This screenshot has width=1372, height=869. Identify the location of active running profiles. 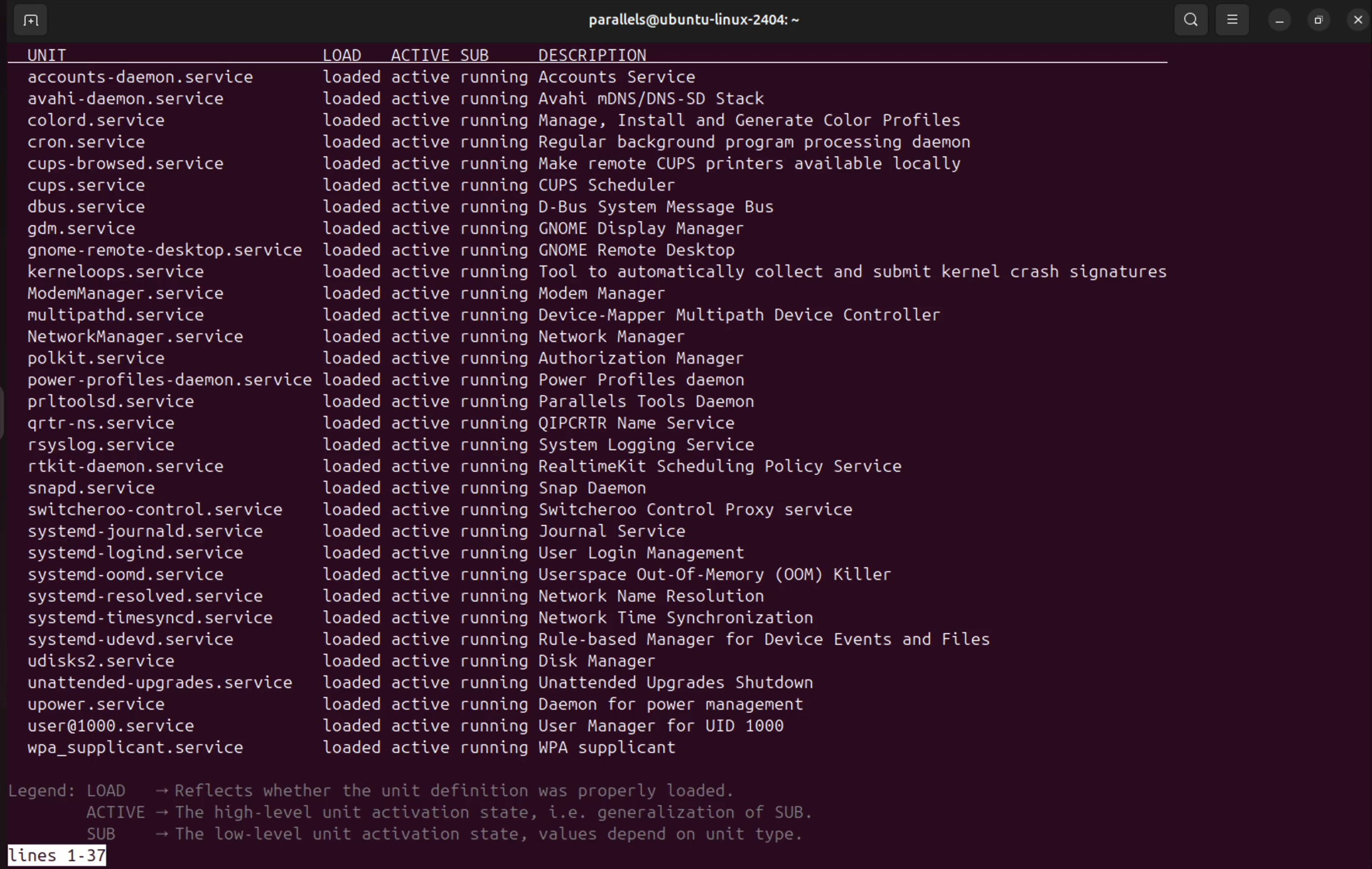
(574, 383).